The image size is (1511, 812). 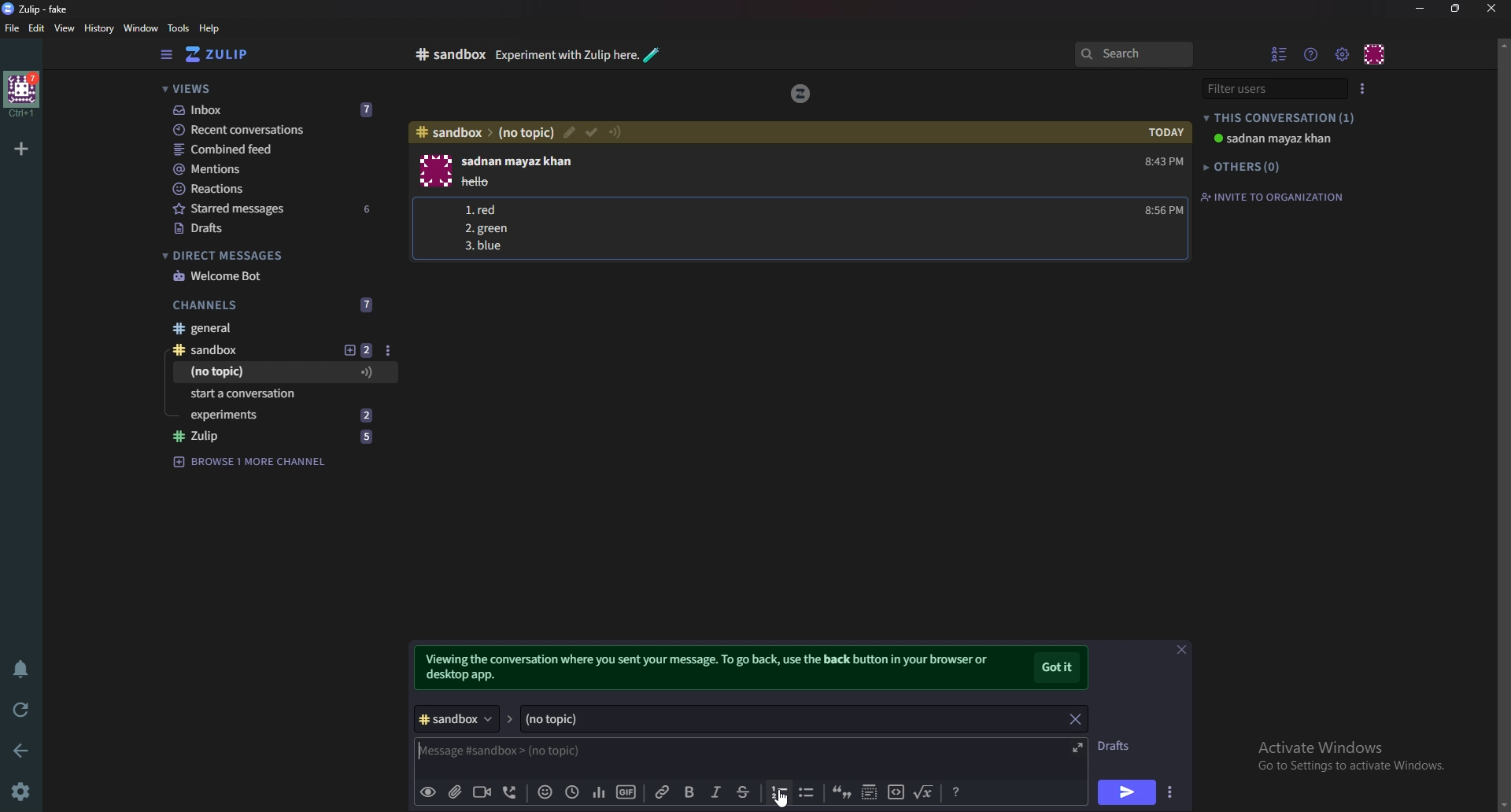 I want to click on Home view, so click(x=228, y=54).